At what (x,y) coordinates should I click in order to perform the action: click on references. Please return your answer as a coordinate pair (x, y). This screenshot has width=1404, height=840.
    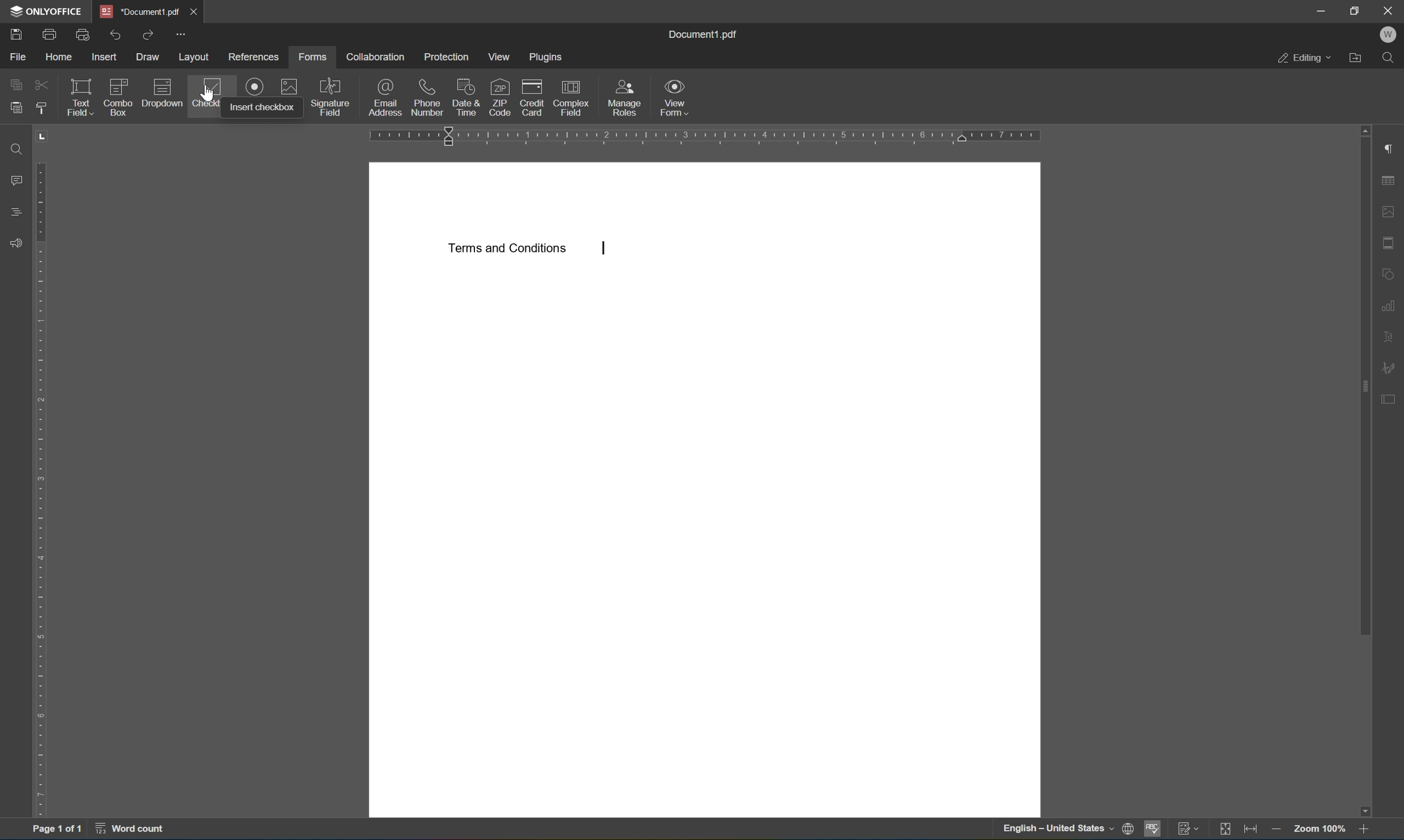
    Looking at the image, I should click on (254, 57).